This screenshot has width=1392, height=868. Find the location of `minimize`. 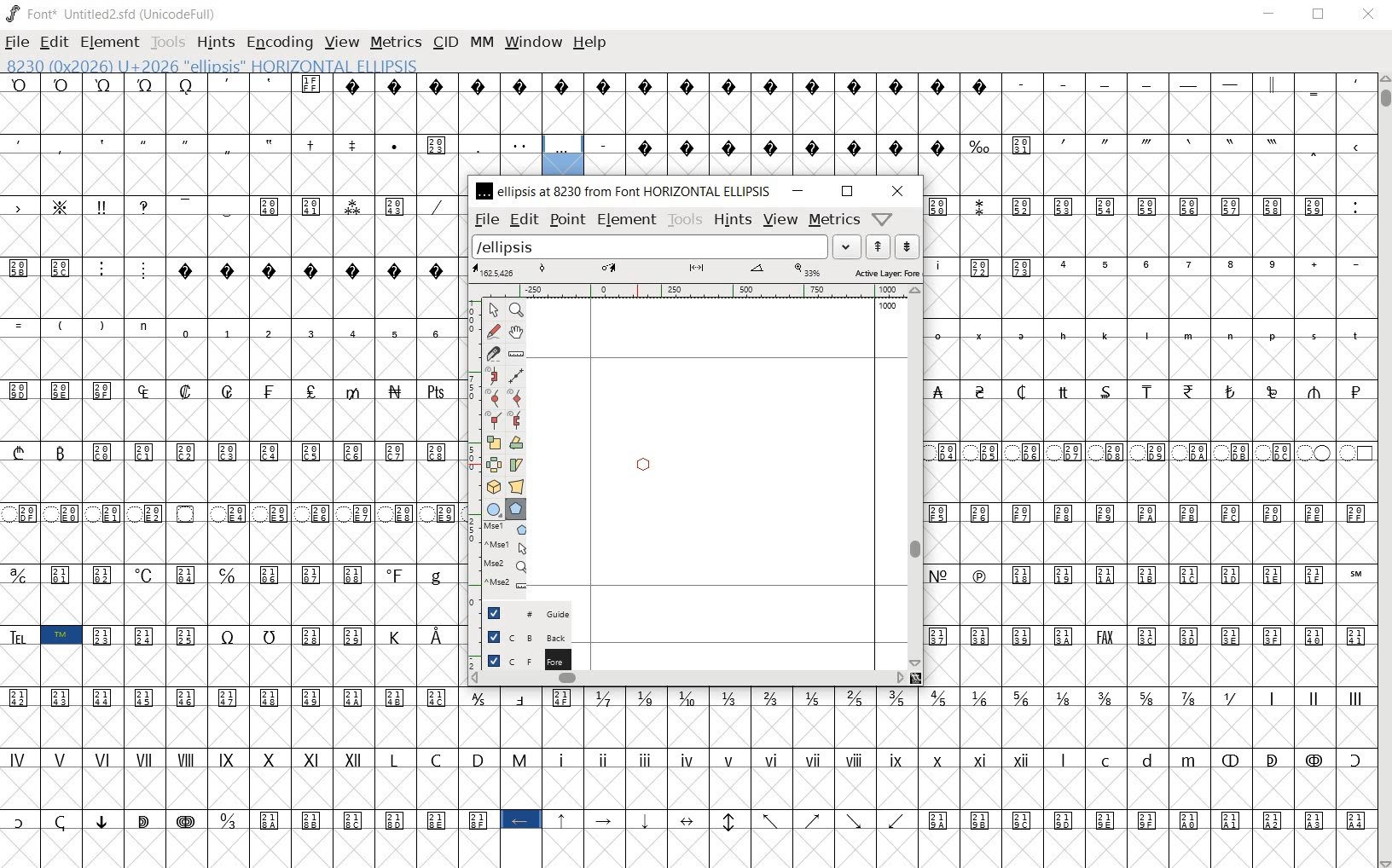

minimize is located at coordinates (797, 190).